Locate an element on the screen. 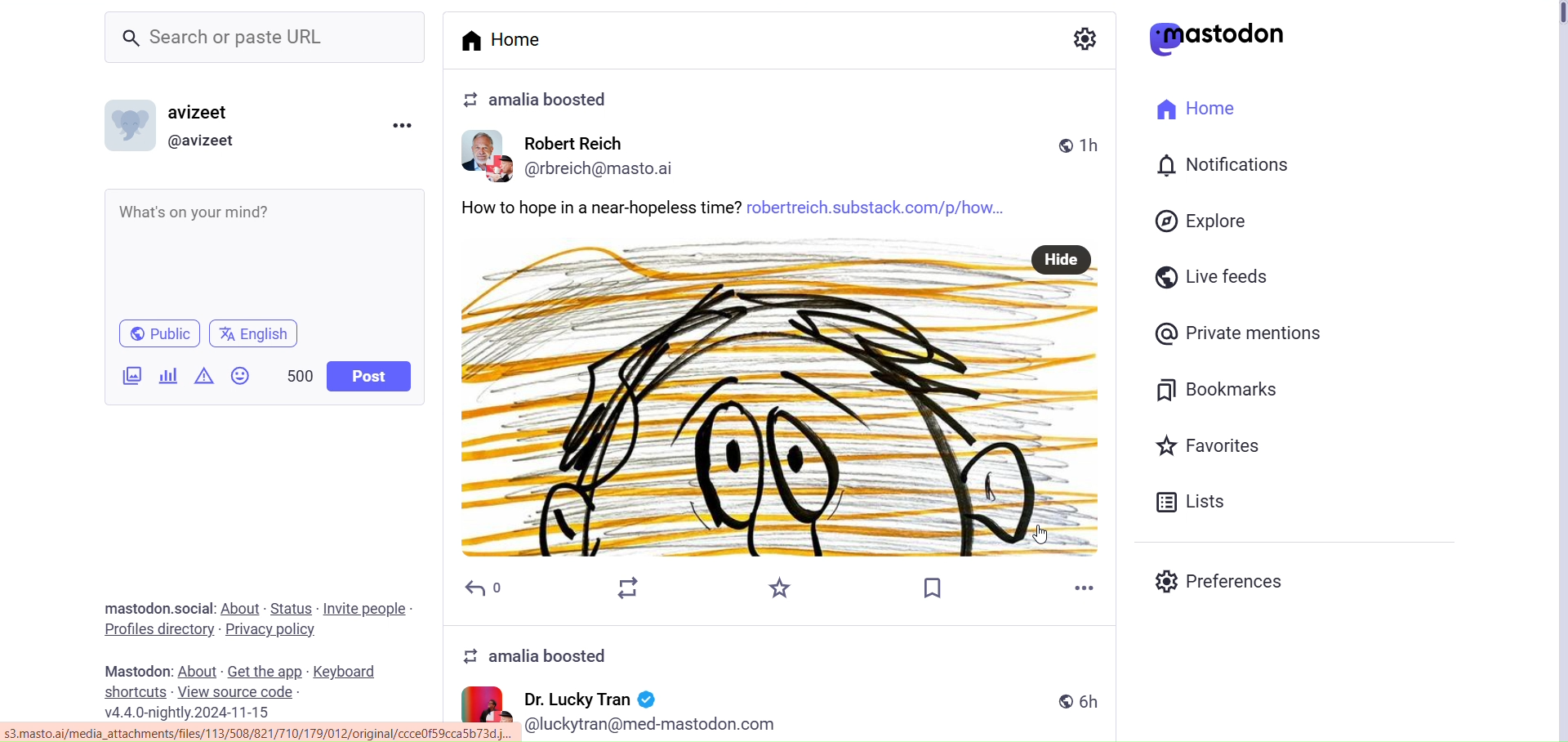 The width and height of the screenshot is (1568, 742). More is located at coordinates (1088, 586).